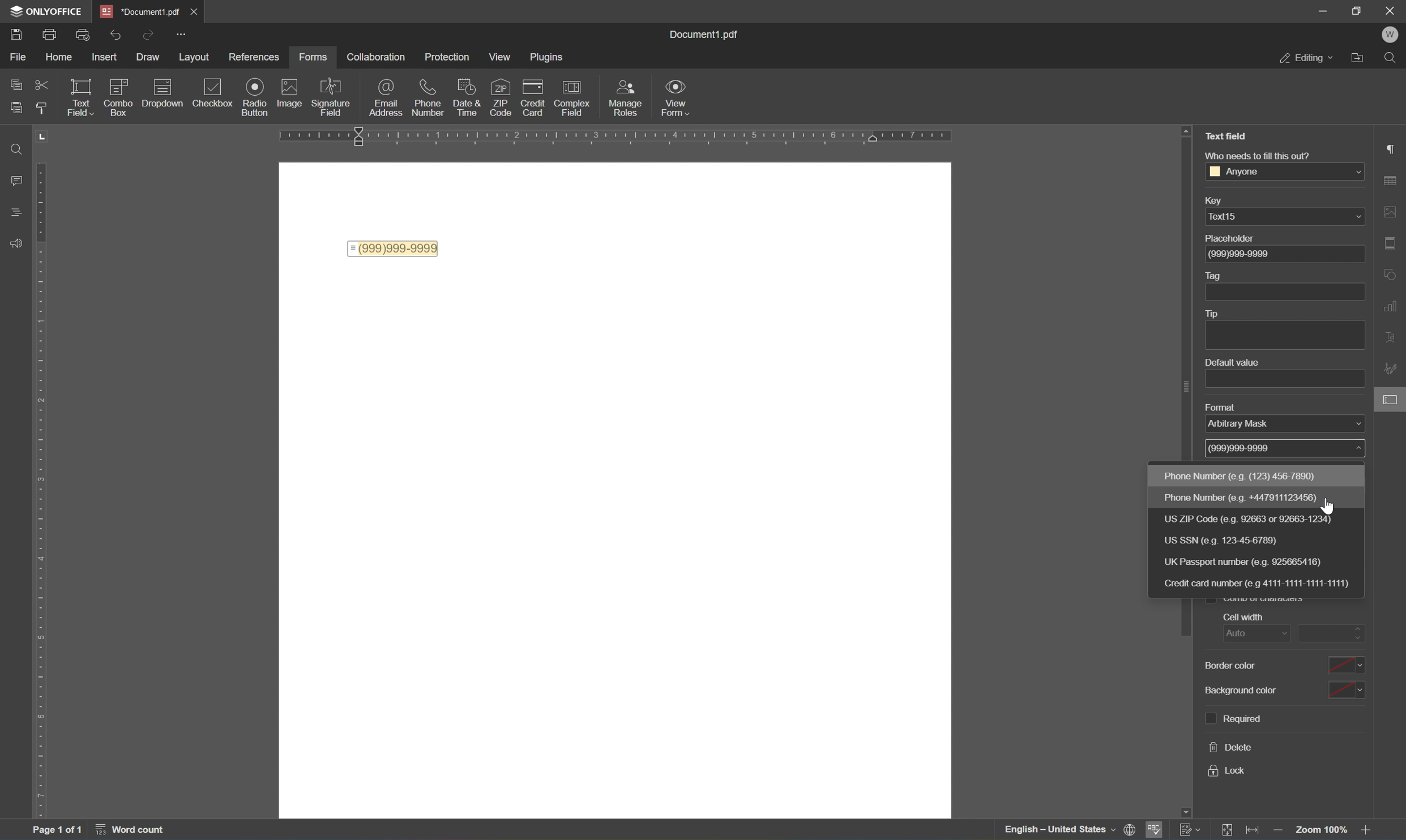 This screenshot has width=1406, height=840. Describe the element at coordinates (1221, 200) in the screenshot. I see `key` at that location.